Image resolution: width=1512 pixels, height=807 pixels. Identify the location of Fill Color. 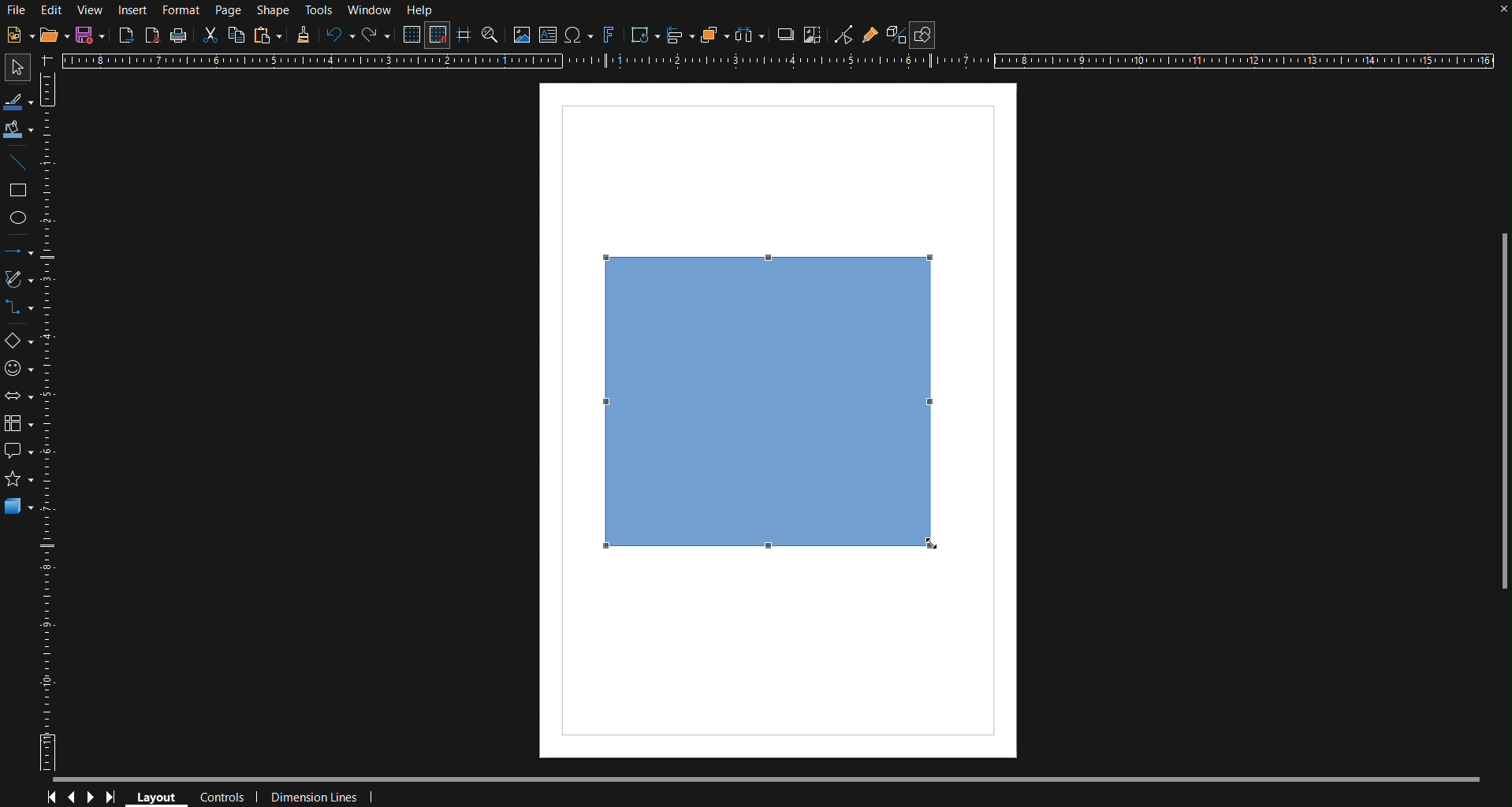
(19, 130).